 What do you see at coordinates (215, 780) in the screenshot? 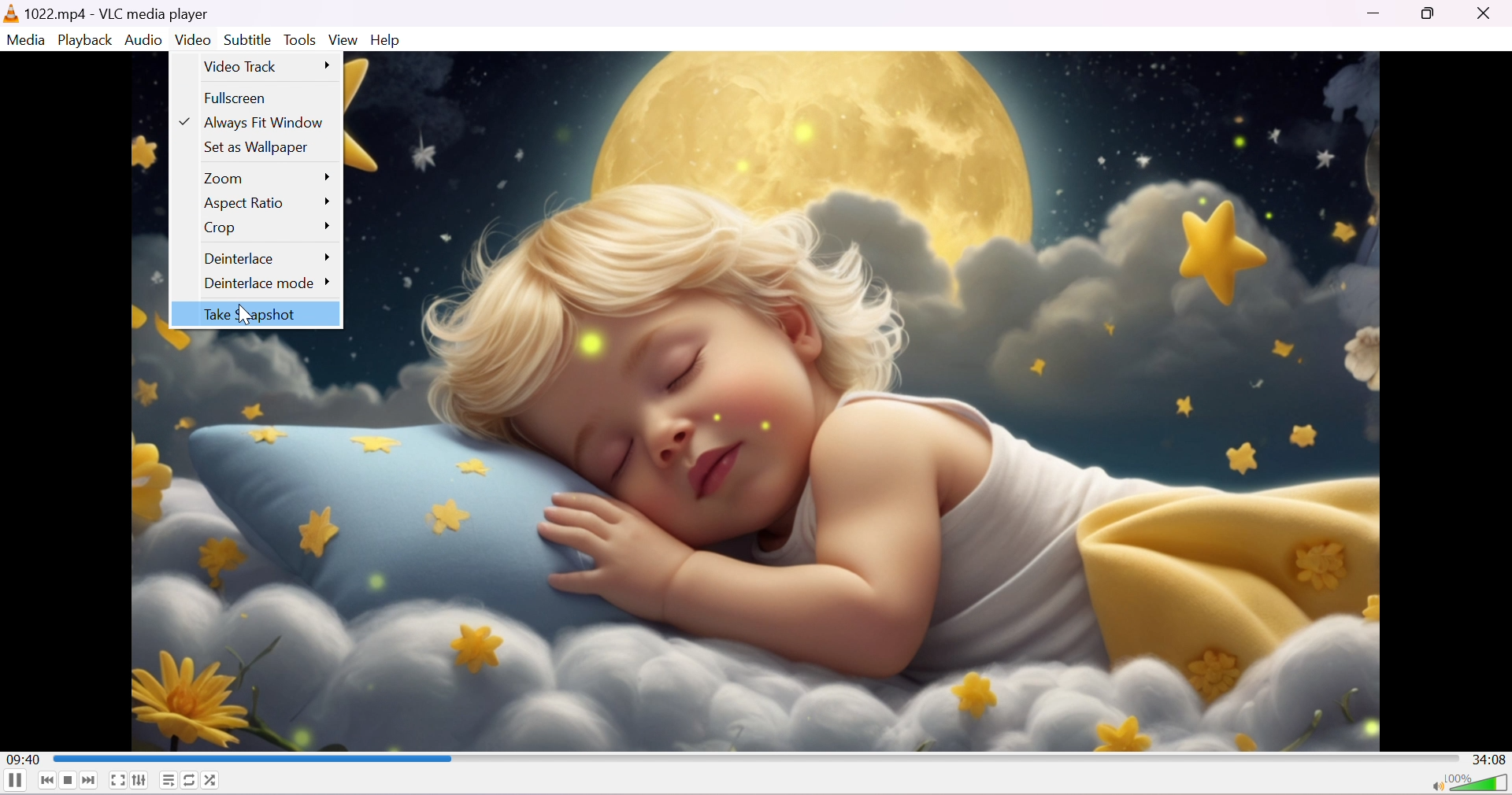
I see `Random` at bounding box center [215, 780].